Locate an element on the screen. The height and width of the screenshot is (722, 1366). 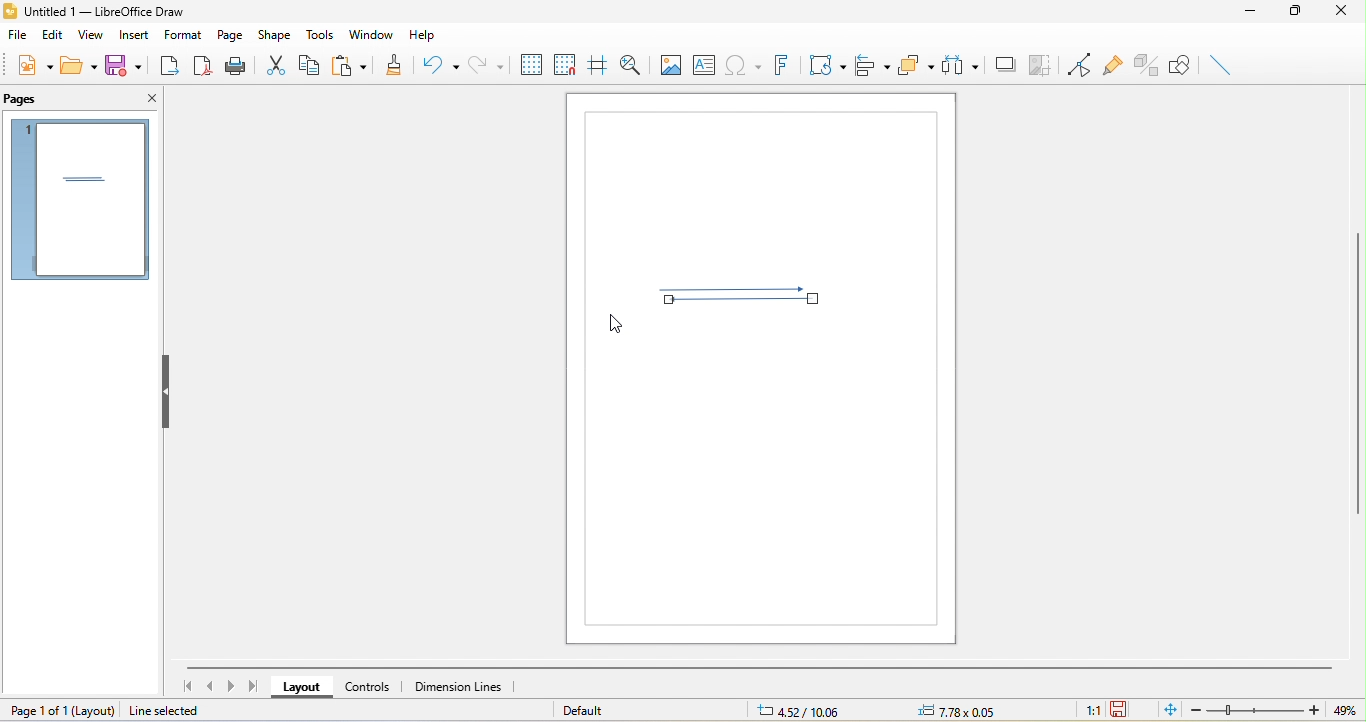
cut is located at coordinates (281, 64).